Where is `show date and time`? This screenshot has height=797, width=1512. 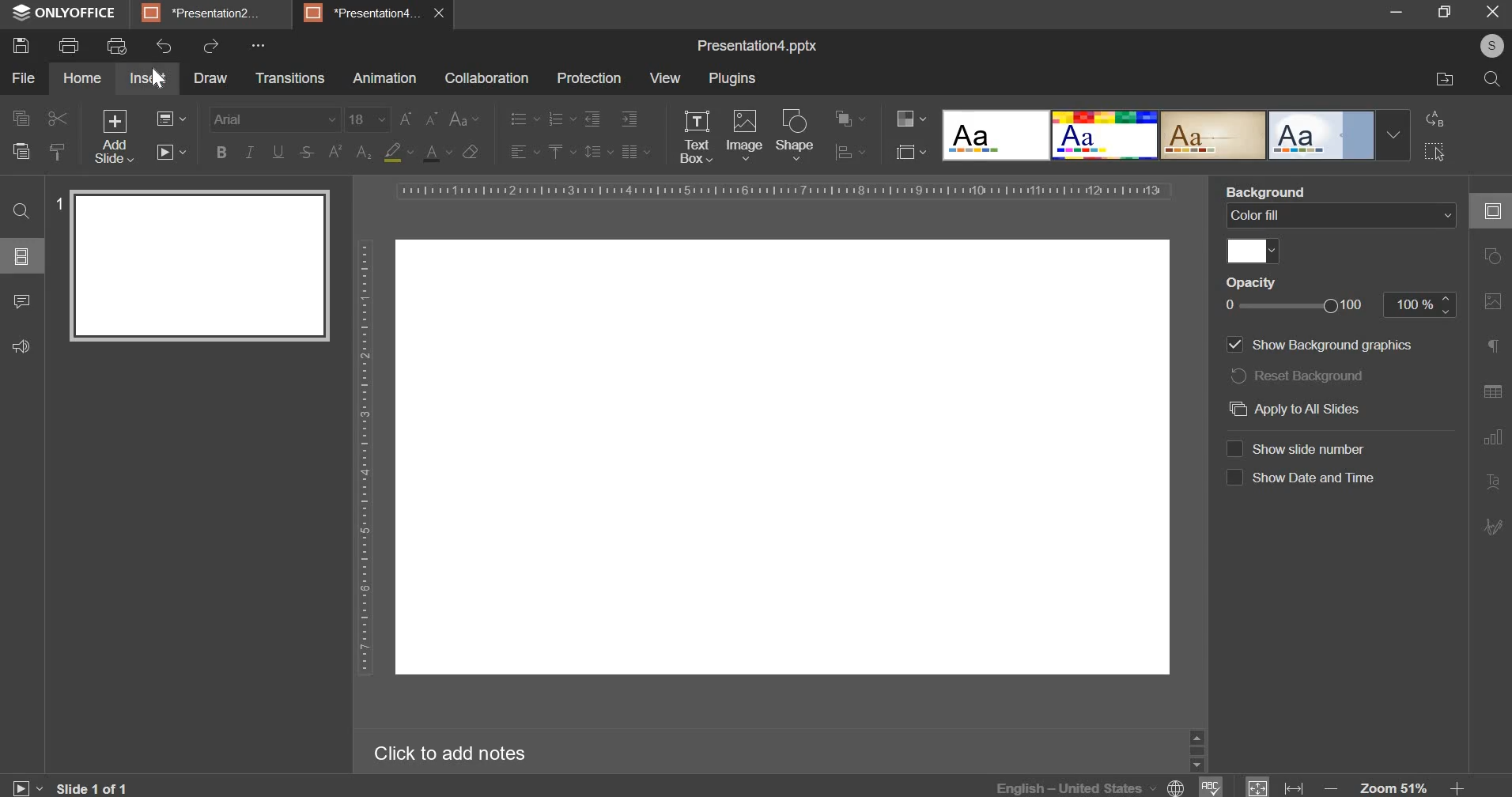 show date and time is located at coordinates (1302, 477).